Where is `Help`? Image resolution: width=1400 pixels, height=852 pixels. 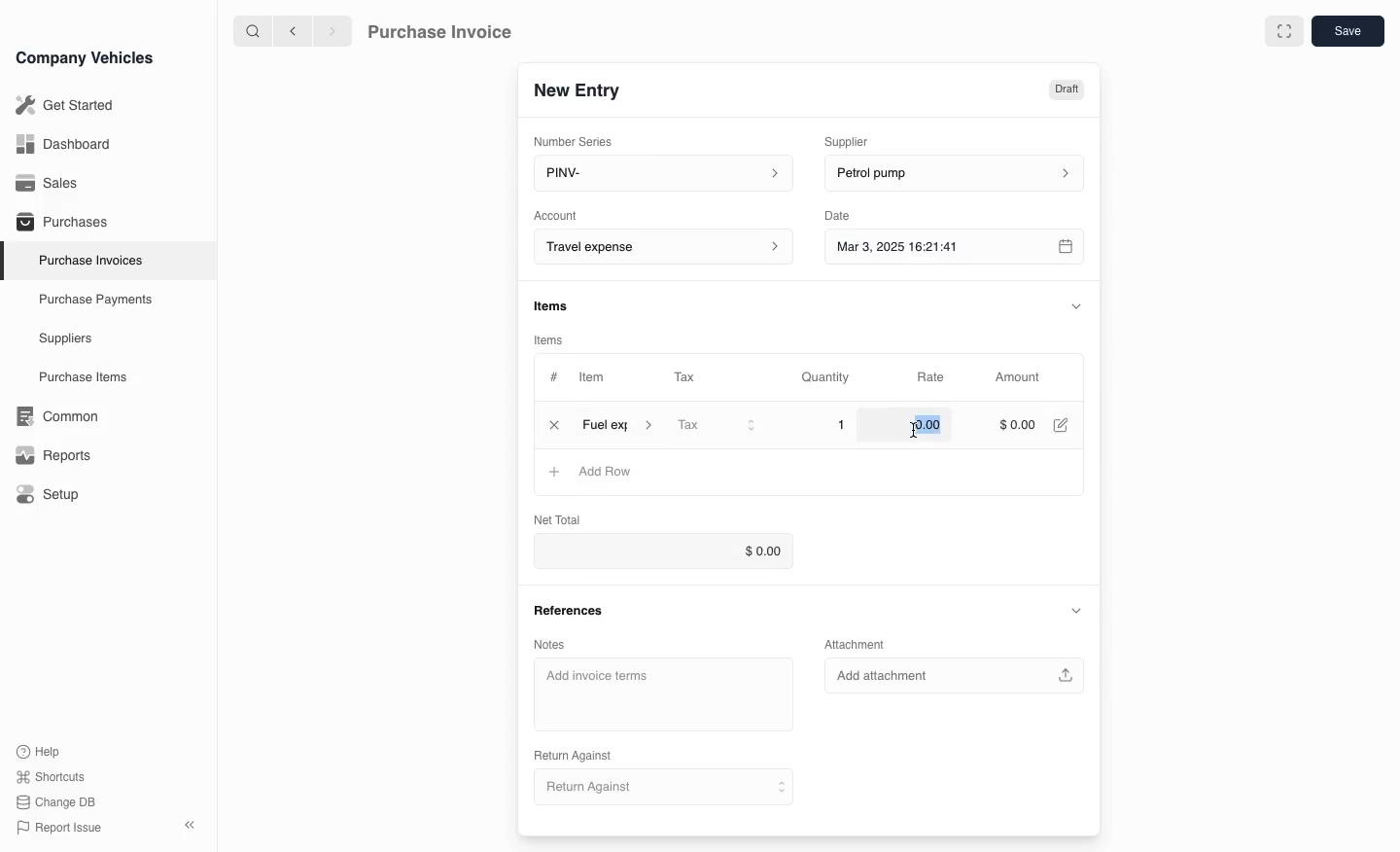 Help is located at coordinates (43, 751).